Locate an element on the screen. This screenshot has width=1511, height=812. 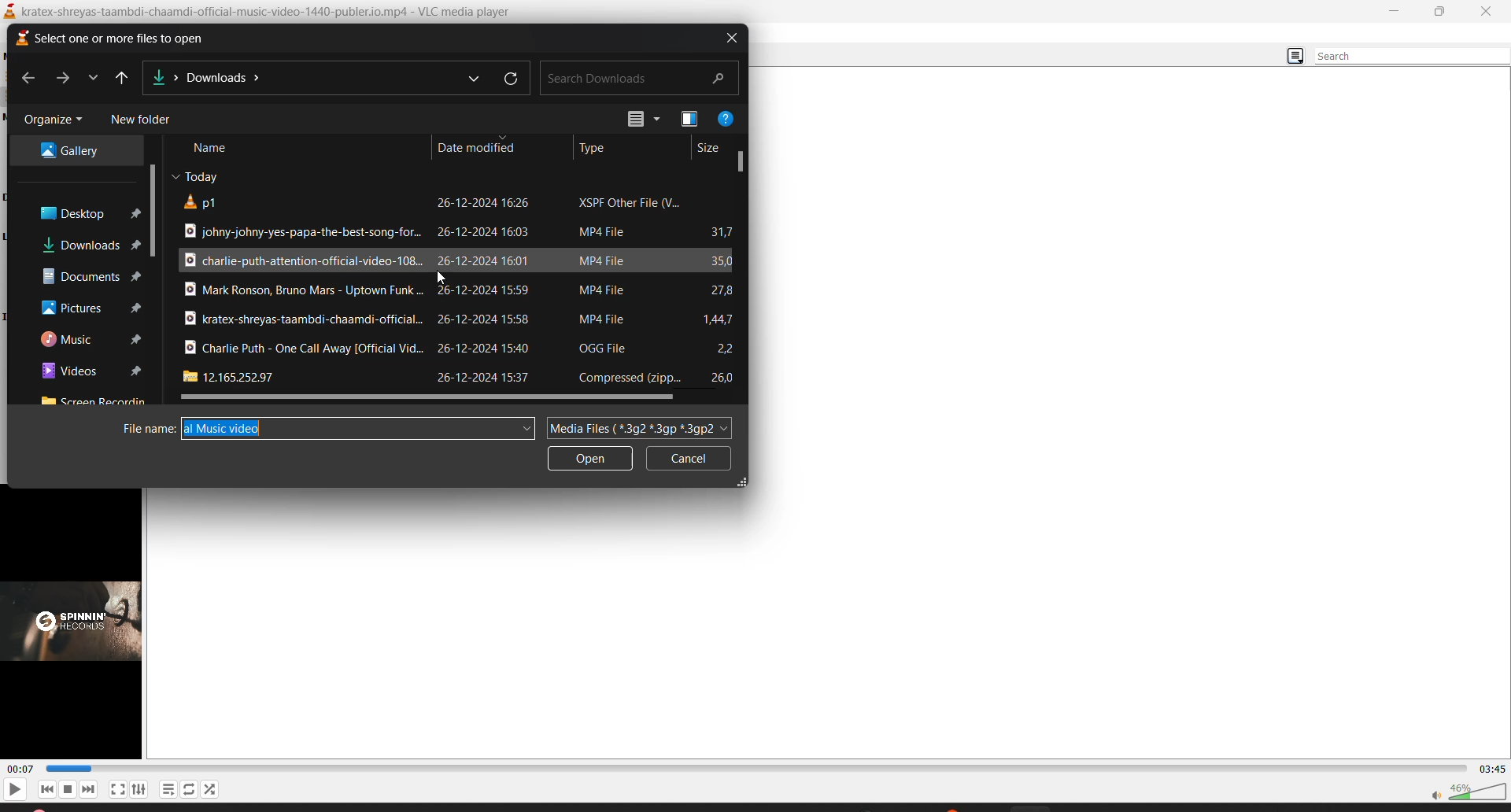
cancel is located at coordinates (689, 458).